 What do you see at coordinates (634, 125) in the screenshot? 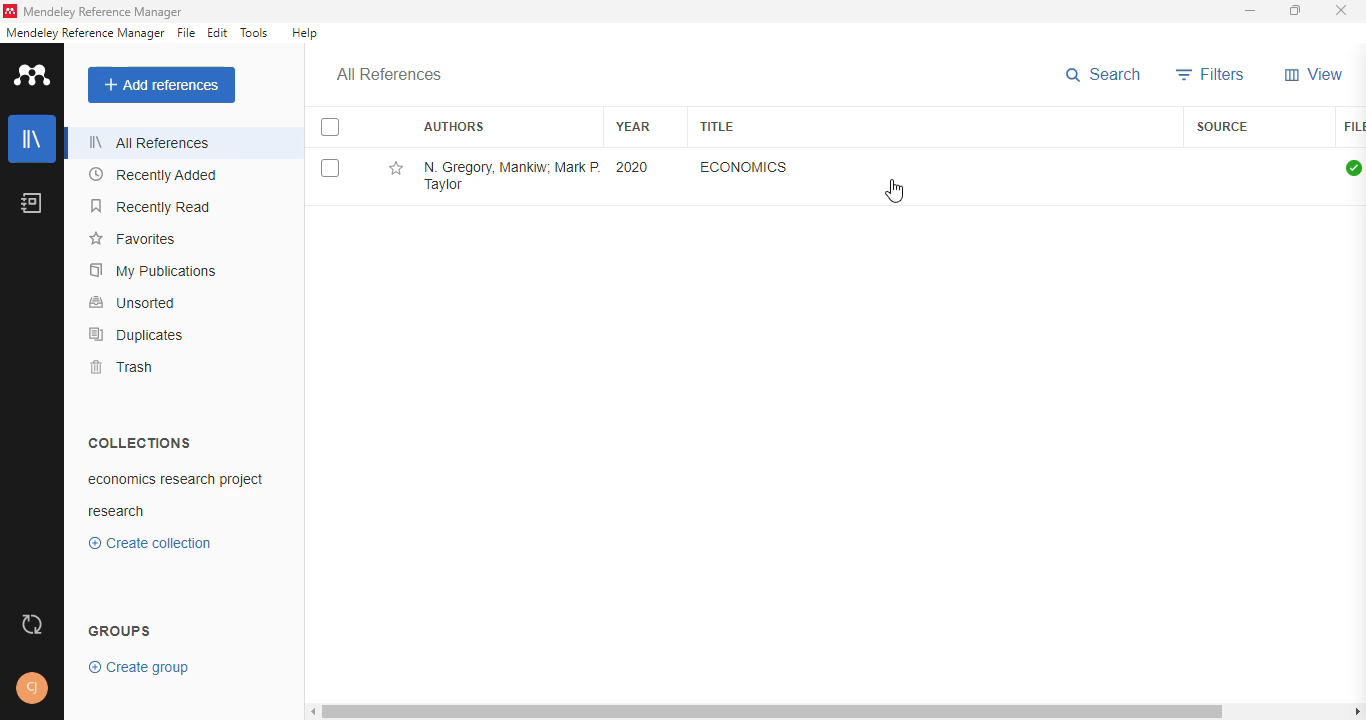
I see `year` at bounding box center [634, 125].